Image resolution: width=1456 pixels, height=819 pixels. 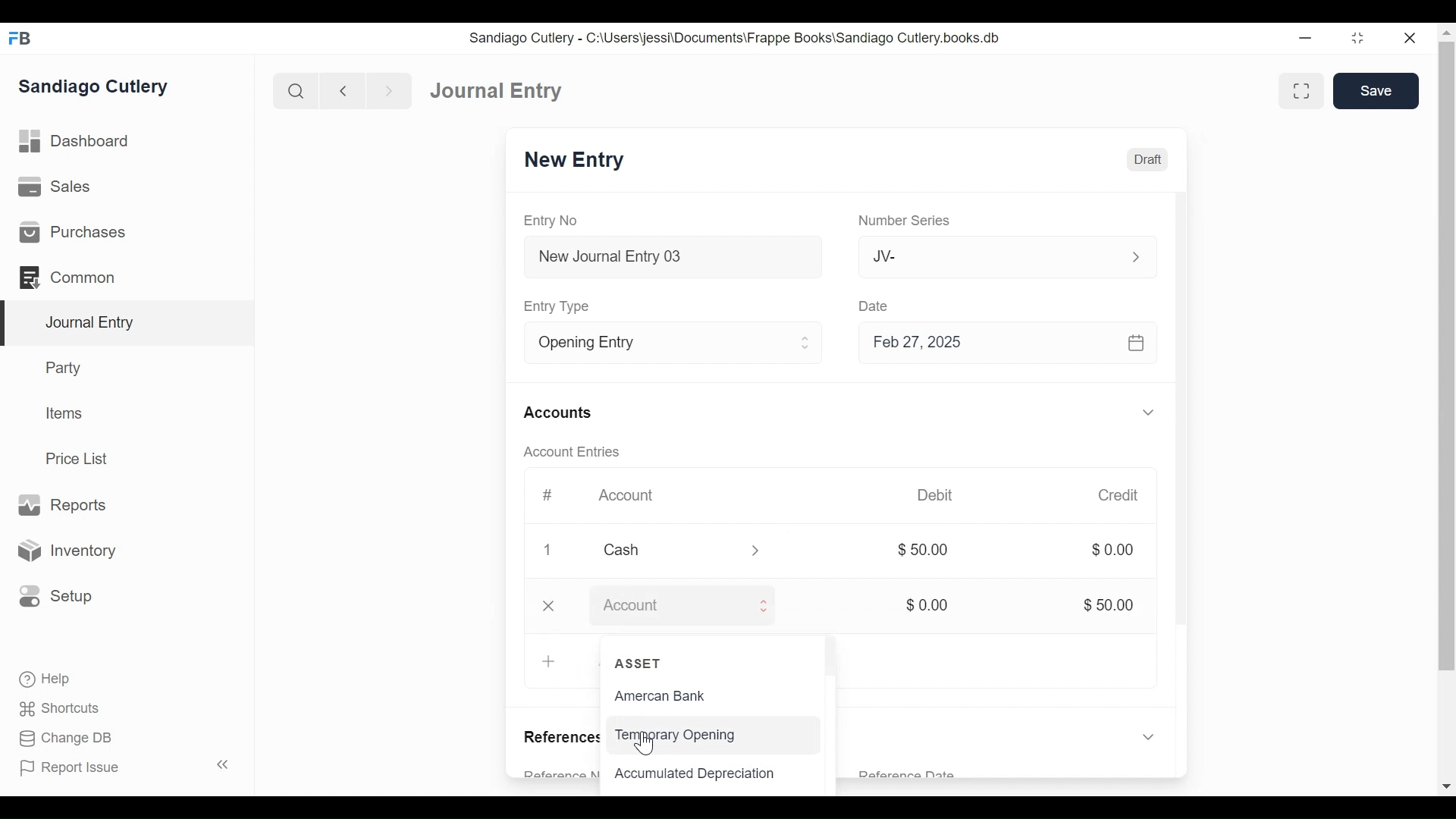 What do you see at coordinates (760, 551) in the screenshot?
I see `Expand` at bounding box center [760, 551].